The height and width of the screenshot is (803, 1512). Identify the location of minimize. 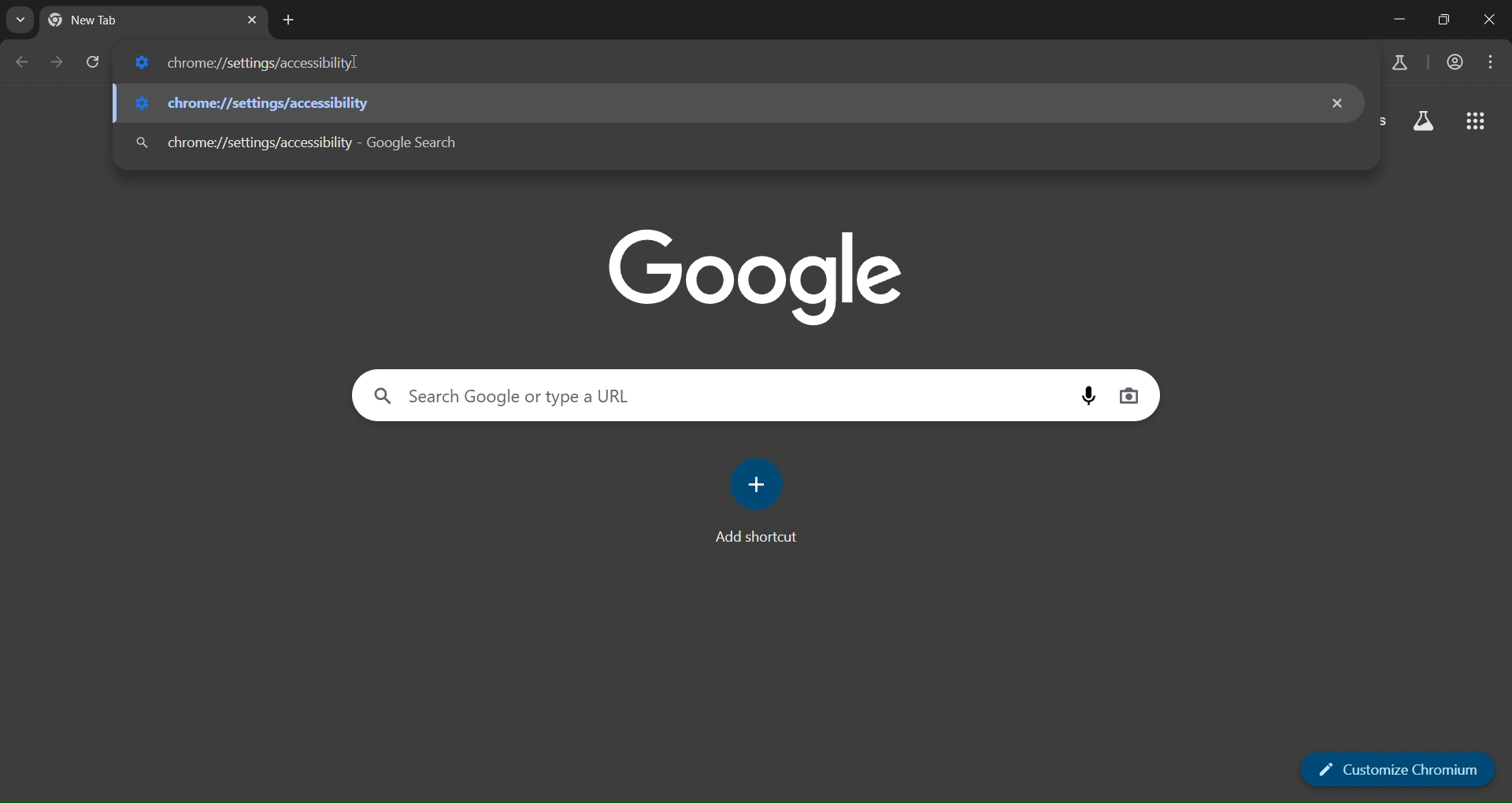
(1395, 19).